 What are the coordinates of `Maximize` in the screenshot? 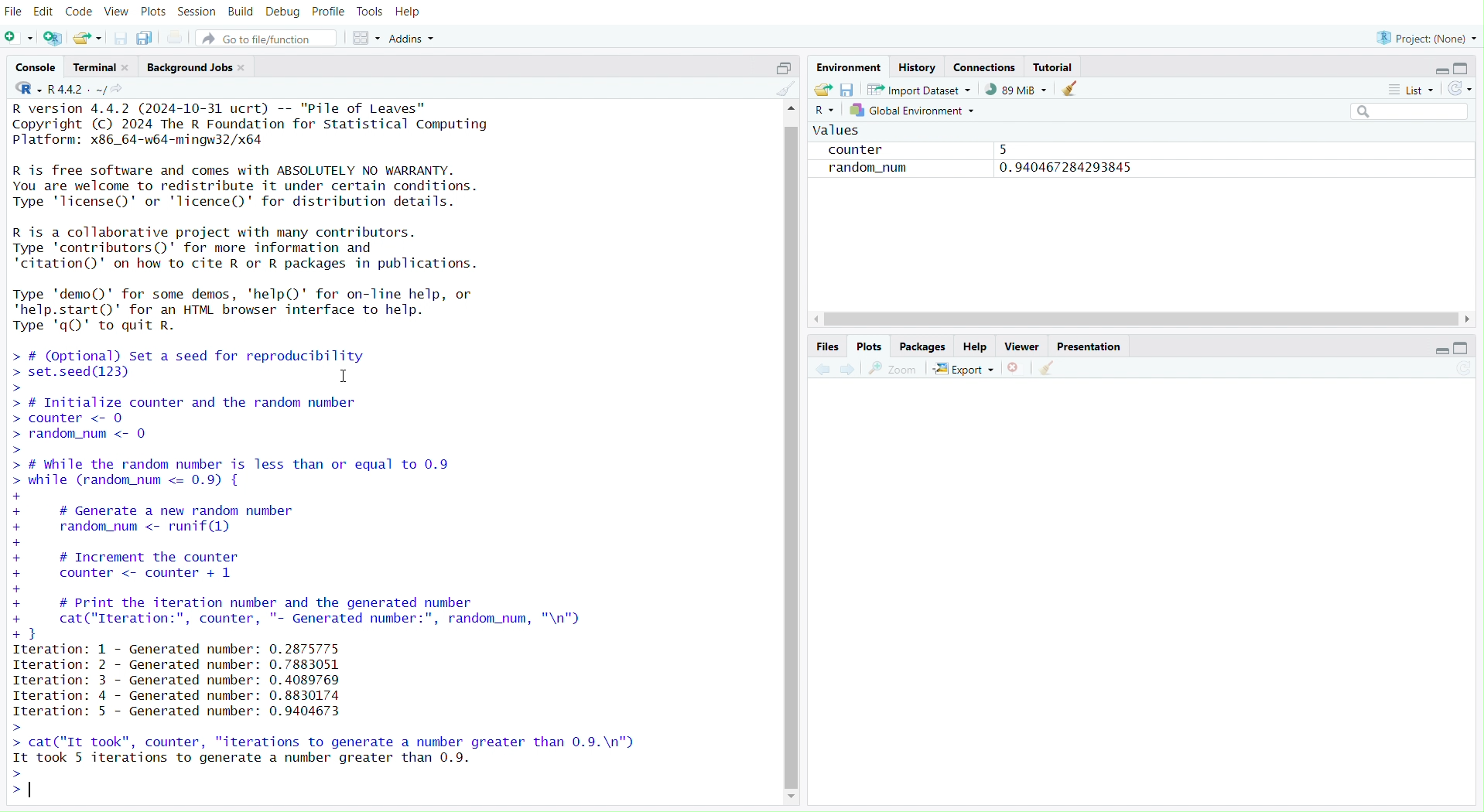 It's located at (1458, 67).